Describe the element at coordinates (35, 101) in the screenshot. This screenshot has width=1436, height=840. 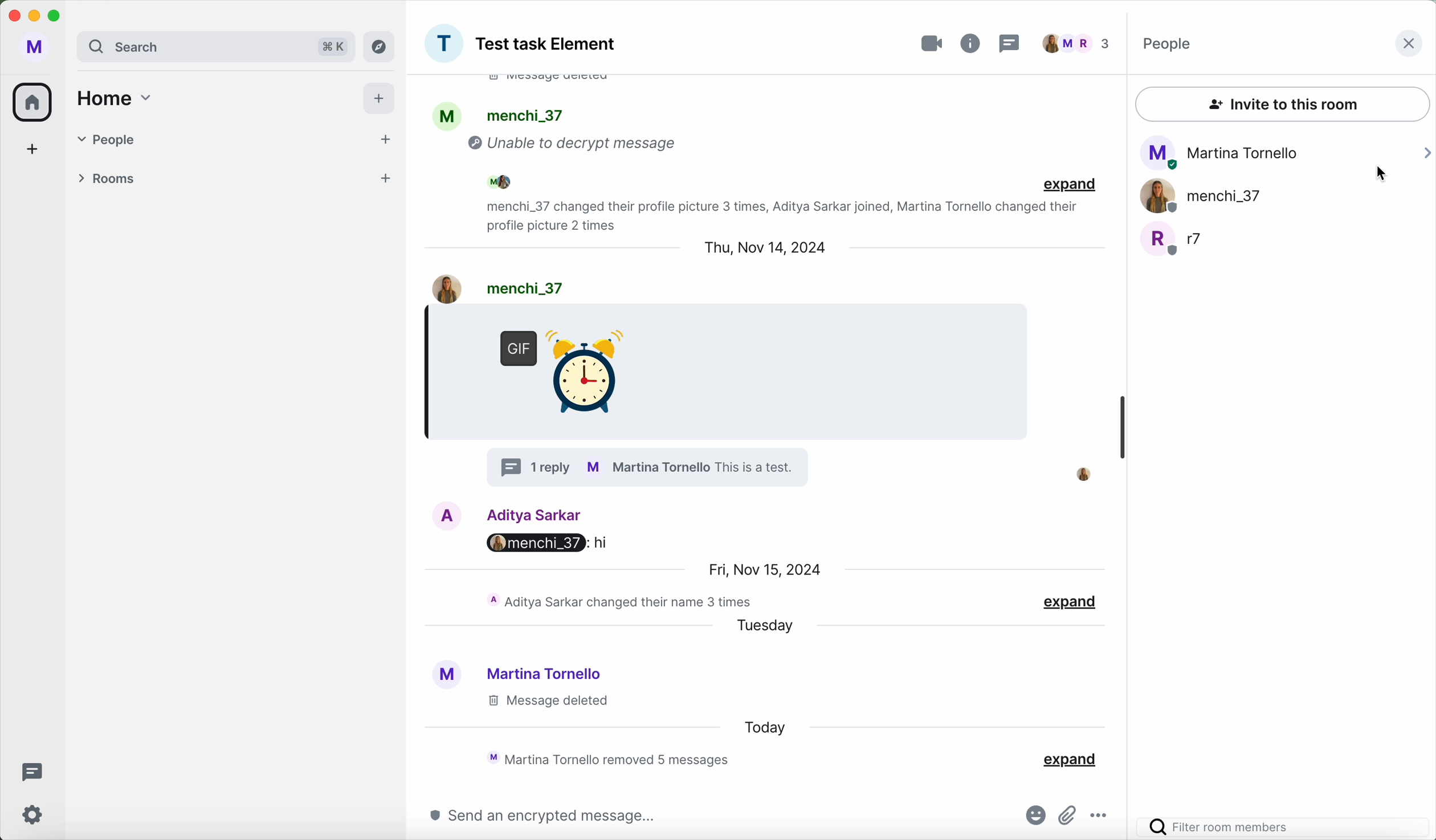
I see `home icon` at that location.